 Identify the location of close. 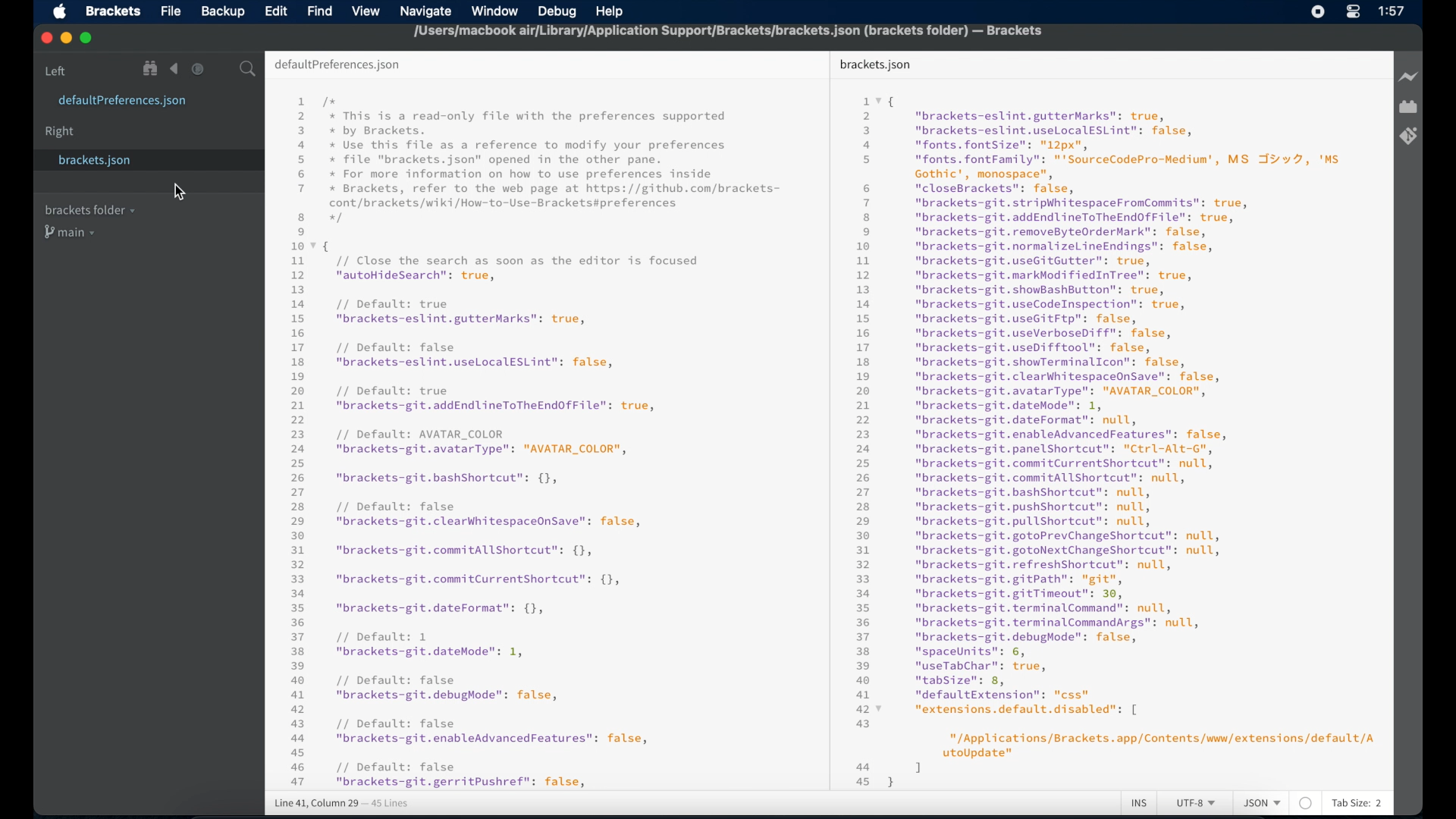
(45, 37).